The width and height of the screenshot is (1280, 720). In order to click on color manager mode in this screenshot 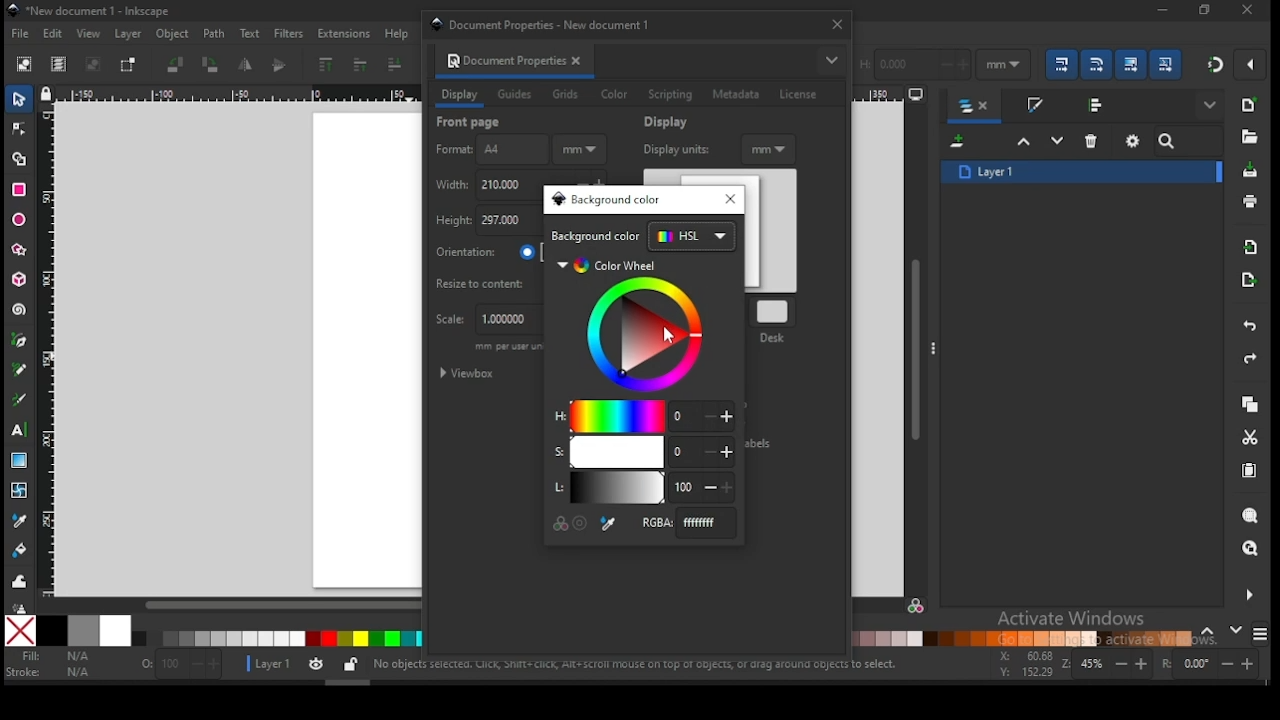, I will do `click(916, 609)`.